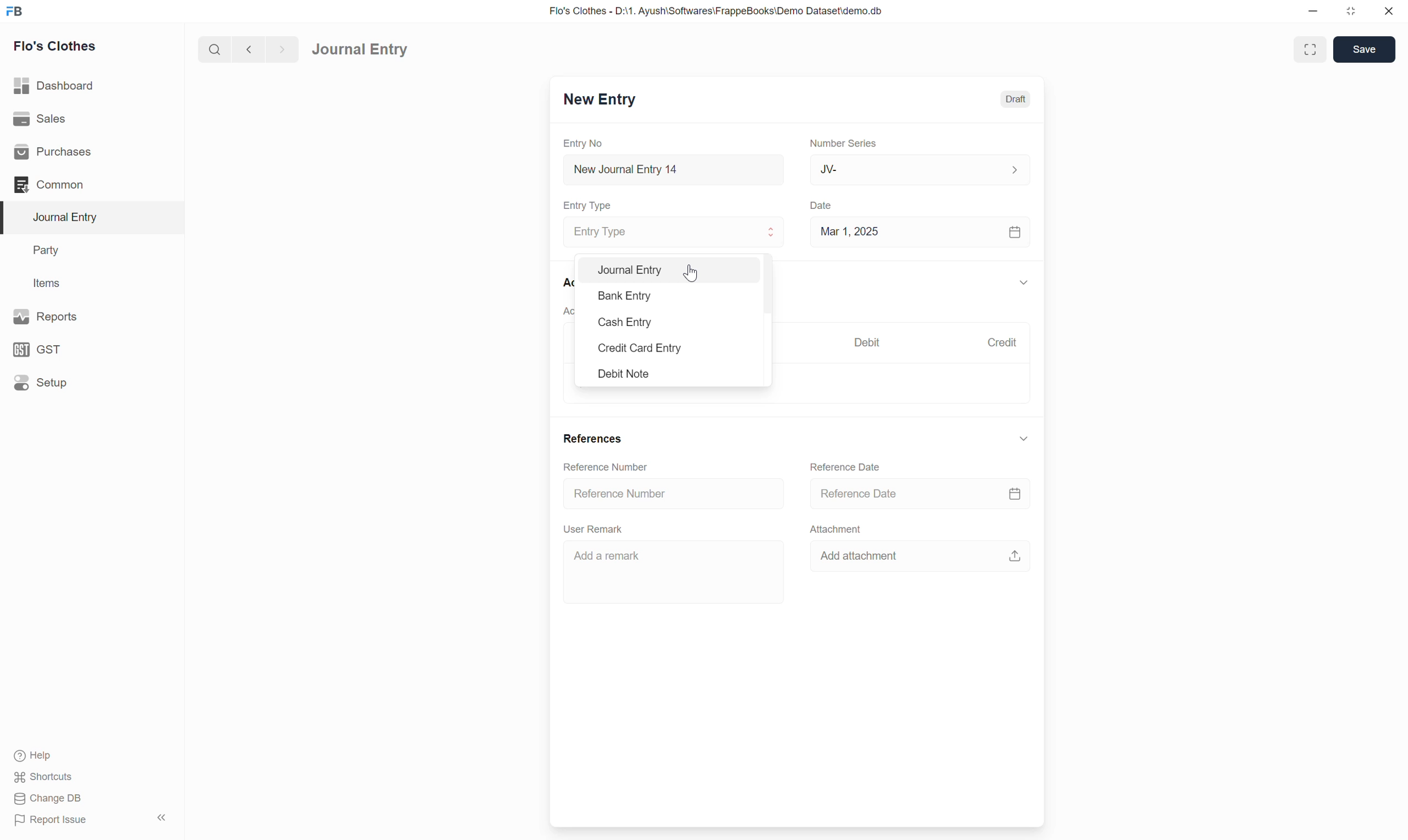 The width and height of the screenshot is (1408, 840). What do you see at coordinates (630, 295) in the screenshot?
I see `Bank Entry` at bounding box center [630, 295].